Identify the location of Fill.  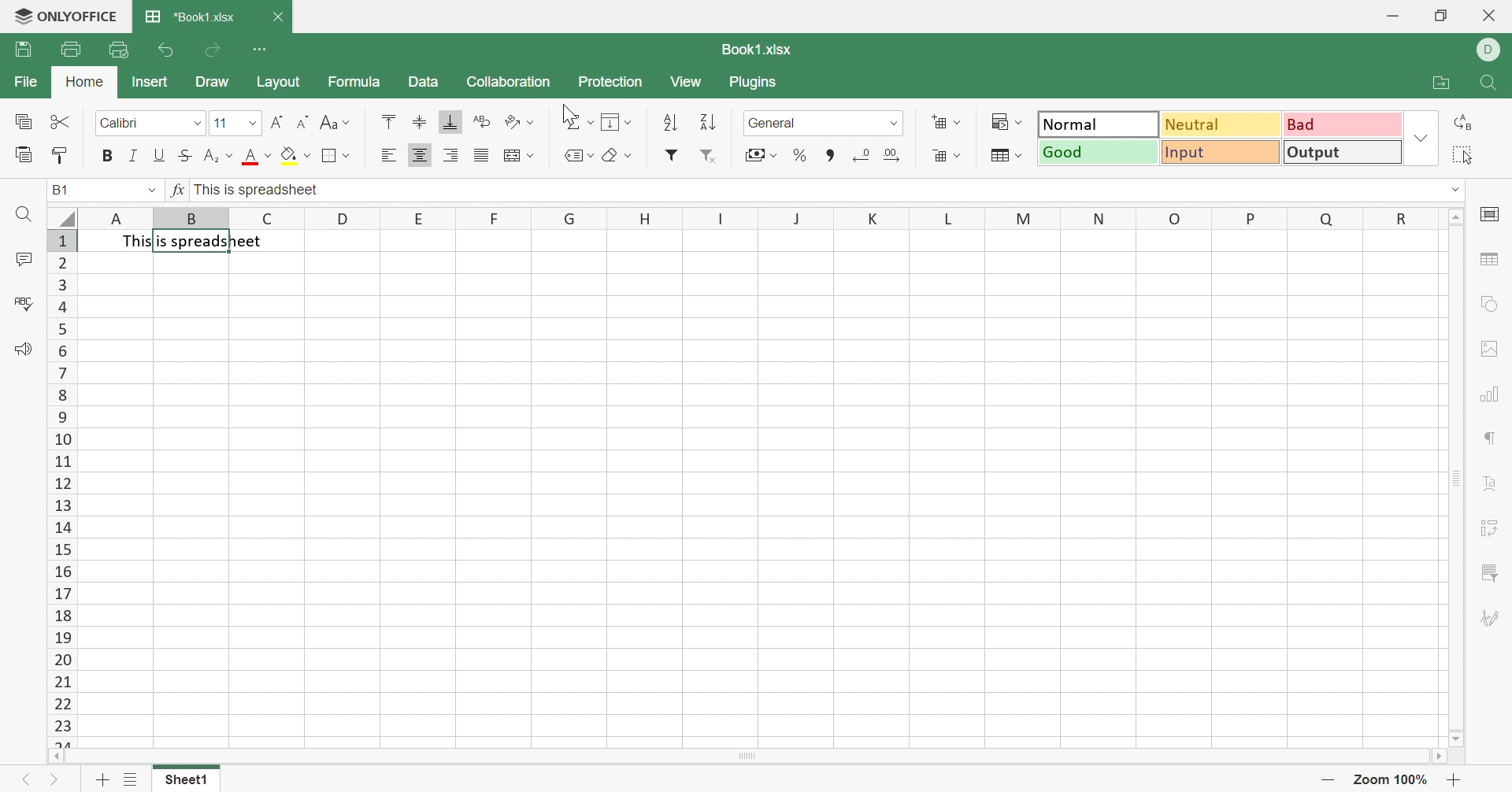
(613, 124).